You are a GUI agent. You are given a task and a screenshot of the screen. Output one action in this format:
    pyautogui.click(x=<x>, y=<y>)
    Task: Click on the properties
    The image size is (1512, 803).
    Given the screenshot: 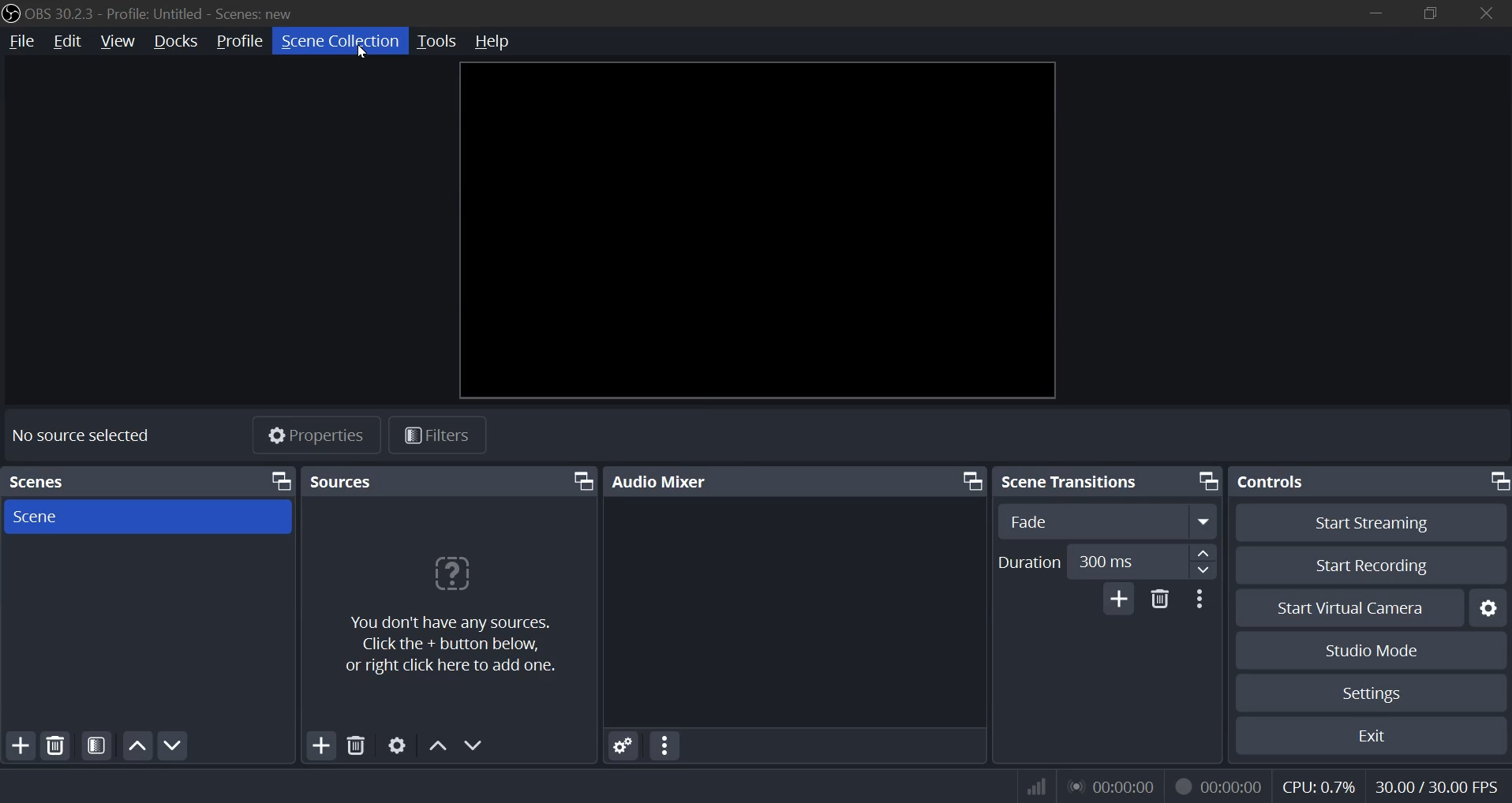 What is the action you would take?
    pyautogui.click(x=309, y=435)
    